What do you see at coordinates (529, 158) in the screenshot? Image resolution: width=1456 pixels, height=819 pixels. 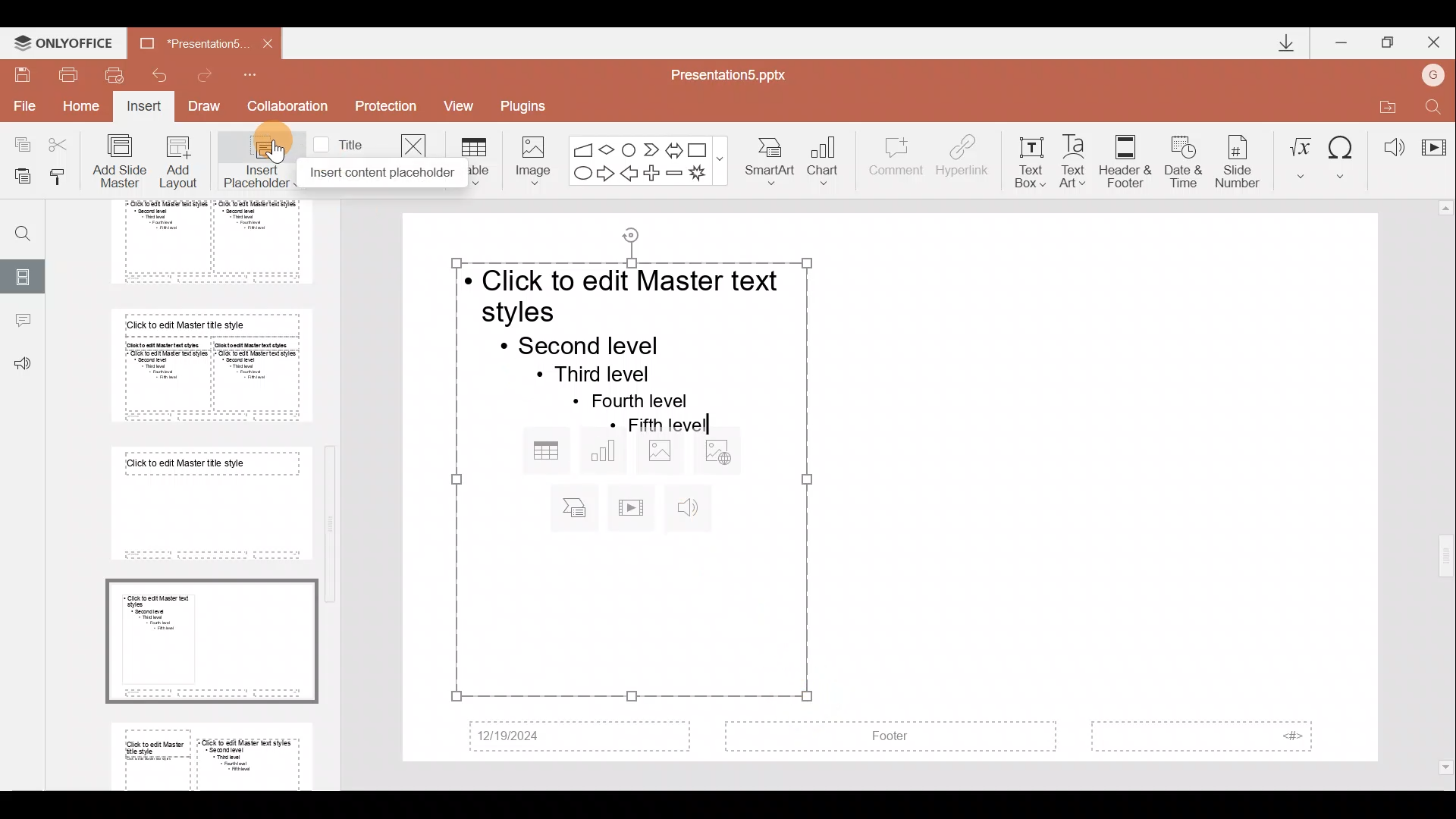 I see `Image` at bounding box center [529, 158].